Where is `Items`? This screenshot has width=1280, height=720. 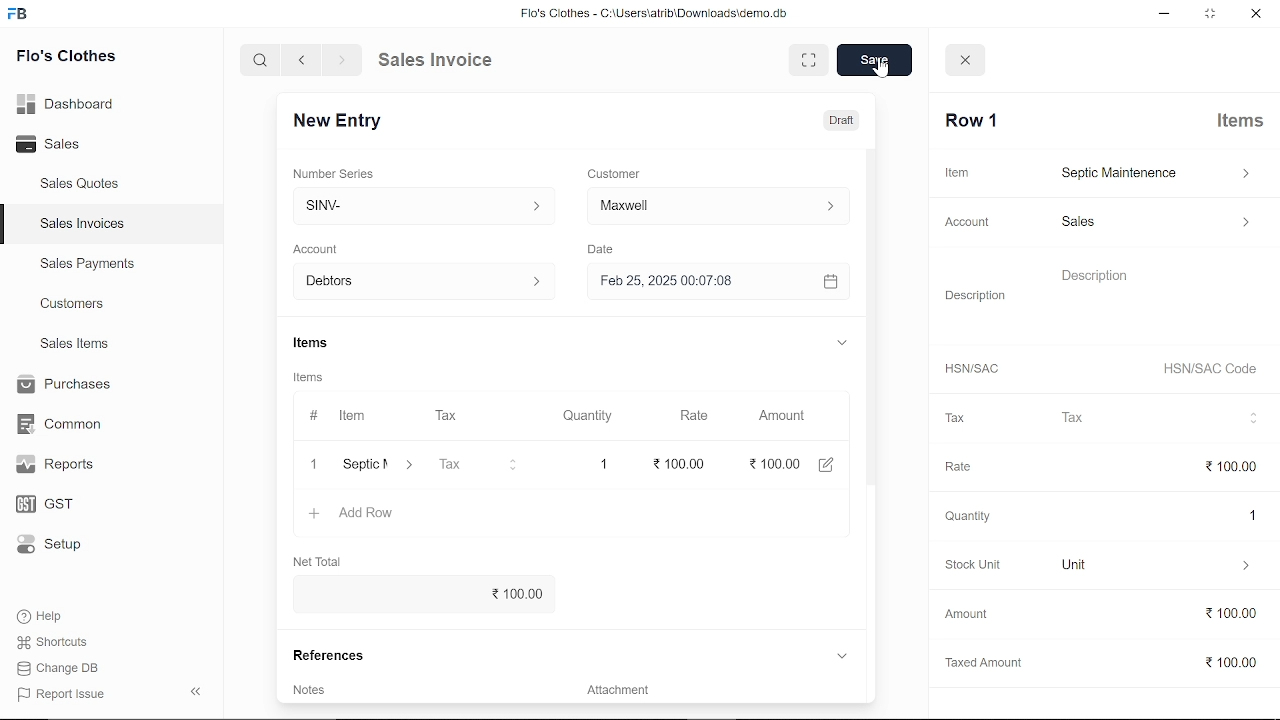 Items is located at coordinates (315, 343).